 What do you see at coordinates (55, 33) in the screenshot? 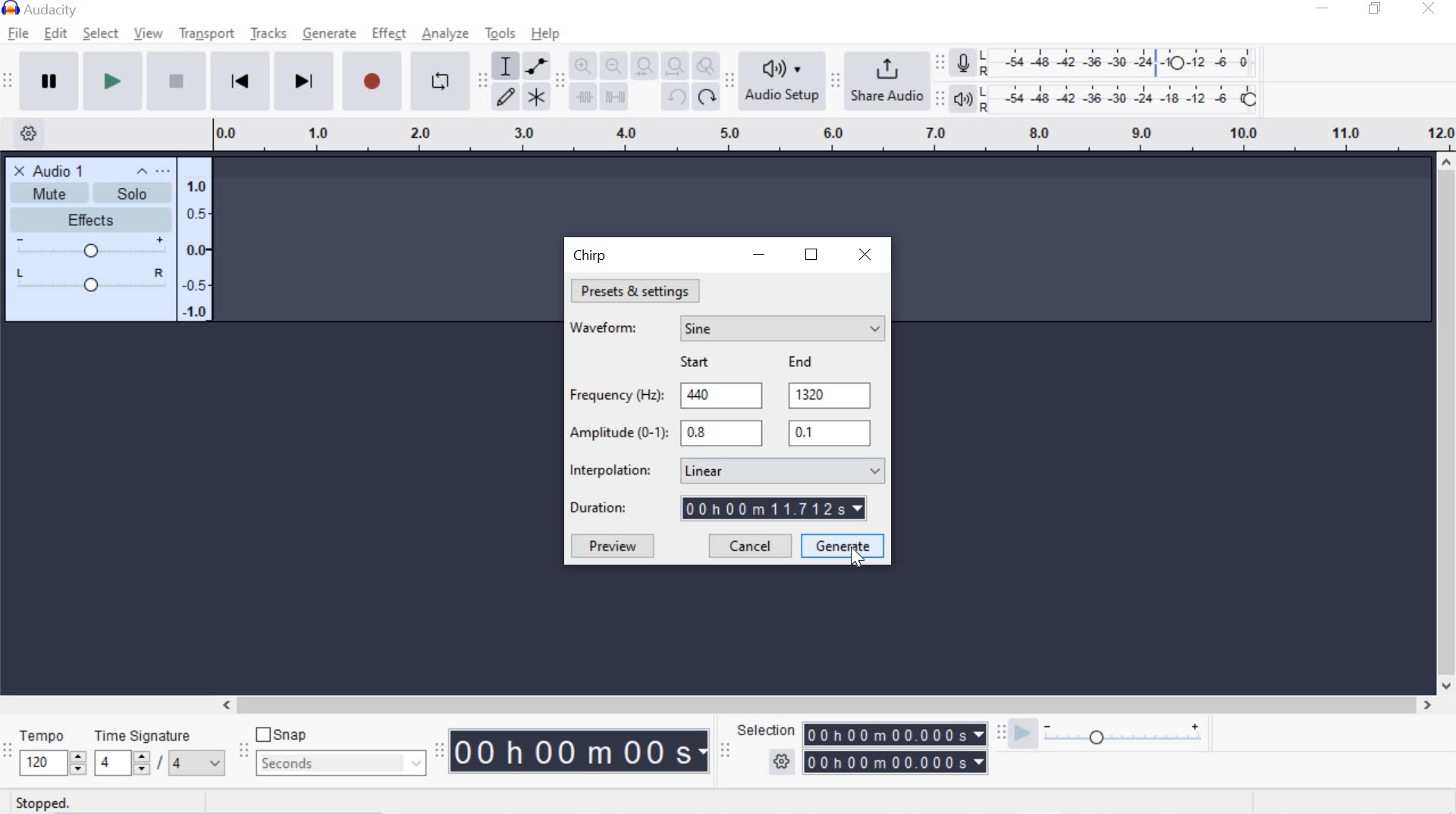
I see `edit` at bounding box center [55, 33].